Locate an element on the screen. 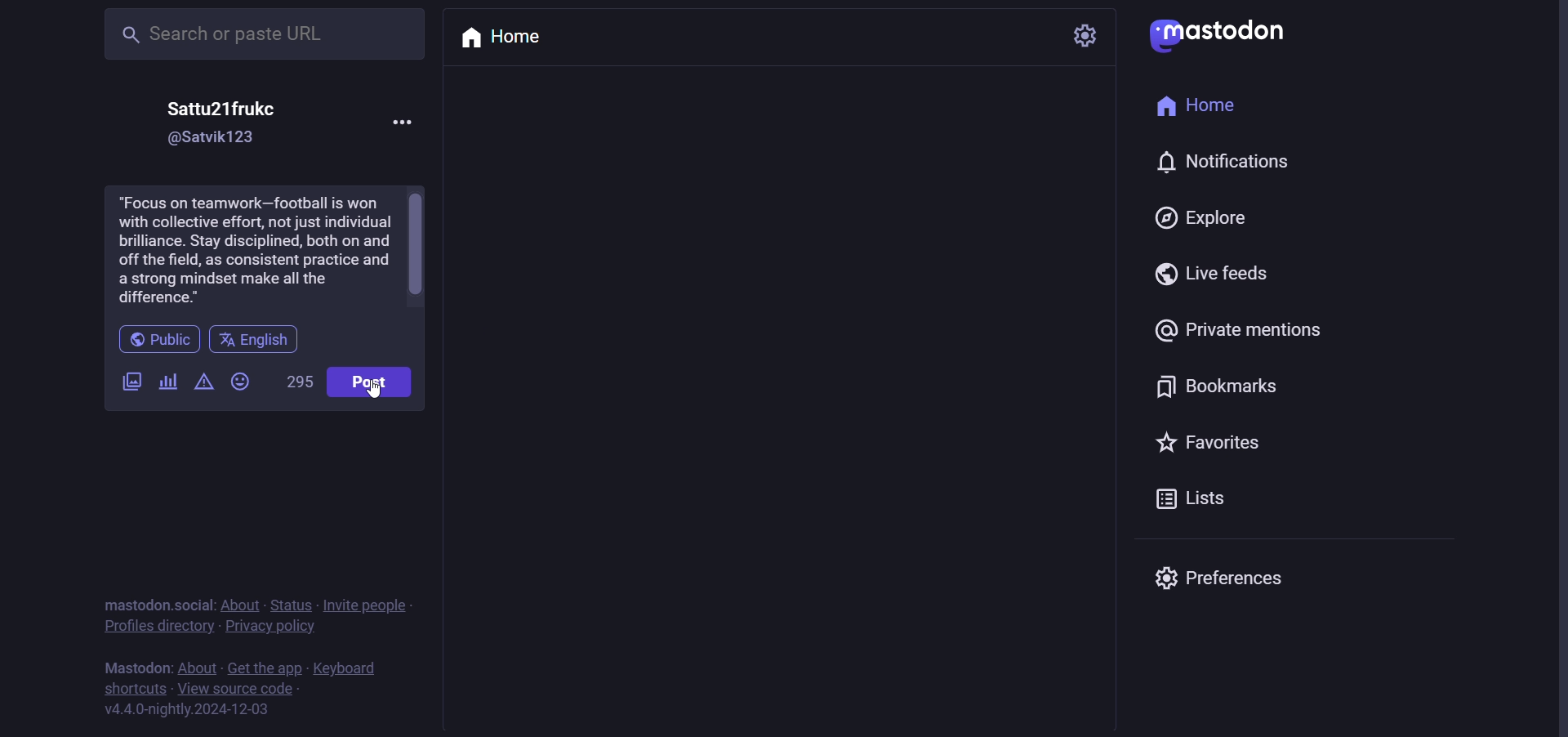 The width and height of the screenshot is (1568, 737). post is located at coordinates (370, 382).